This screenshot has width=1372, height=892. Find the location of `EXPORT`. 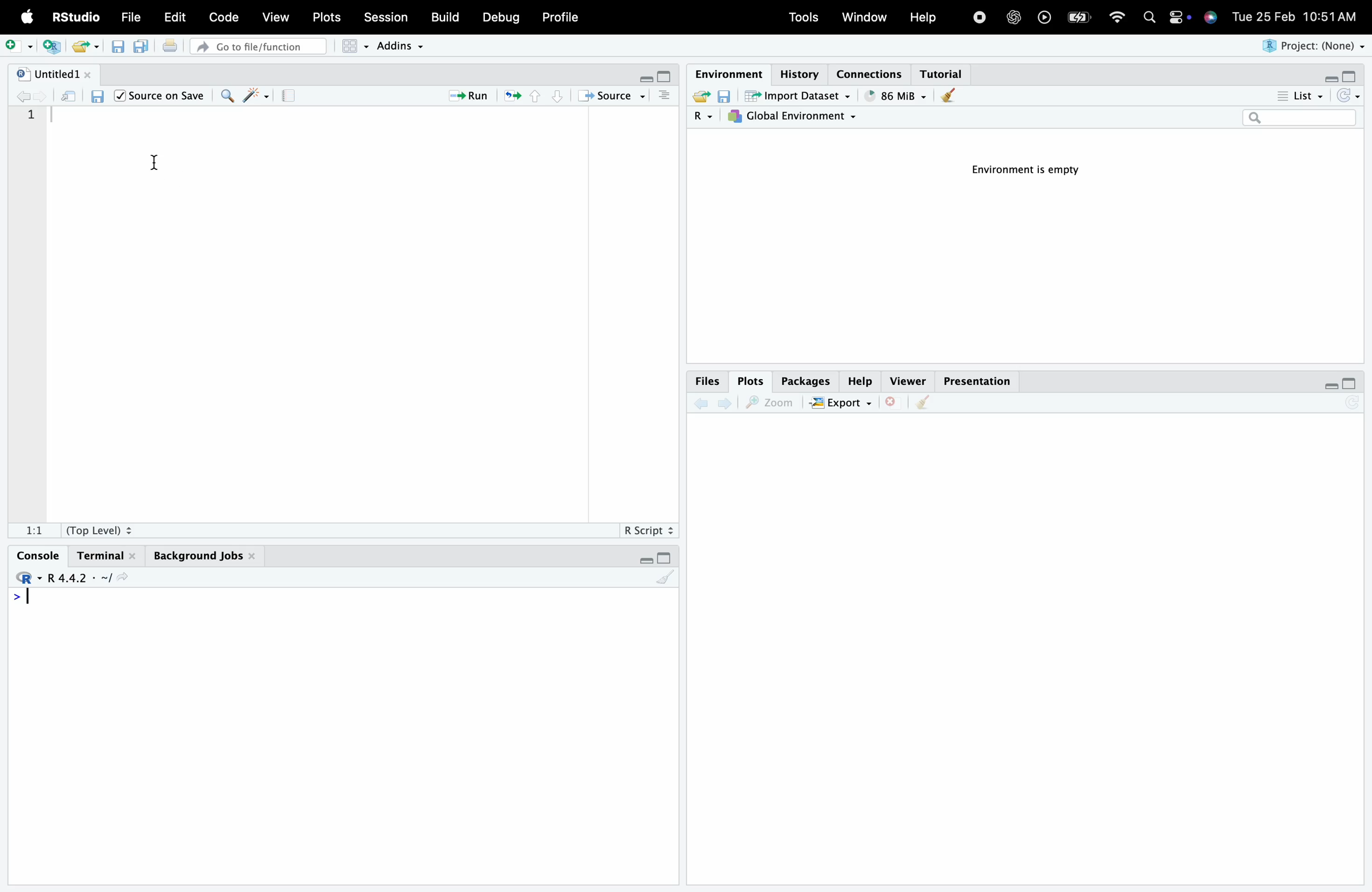

EXPORT is located at coordinates (842, 403).